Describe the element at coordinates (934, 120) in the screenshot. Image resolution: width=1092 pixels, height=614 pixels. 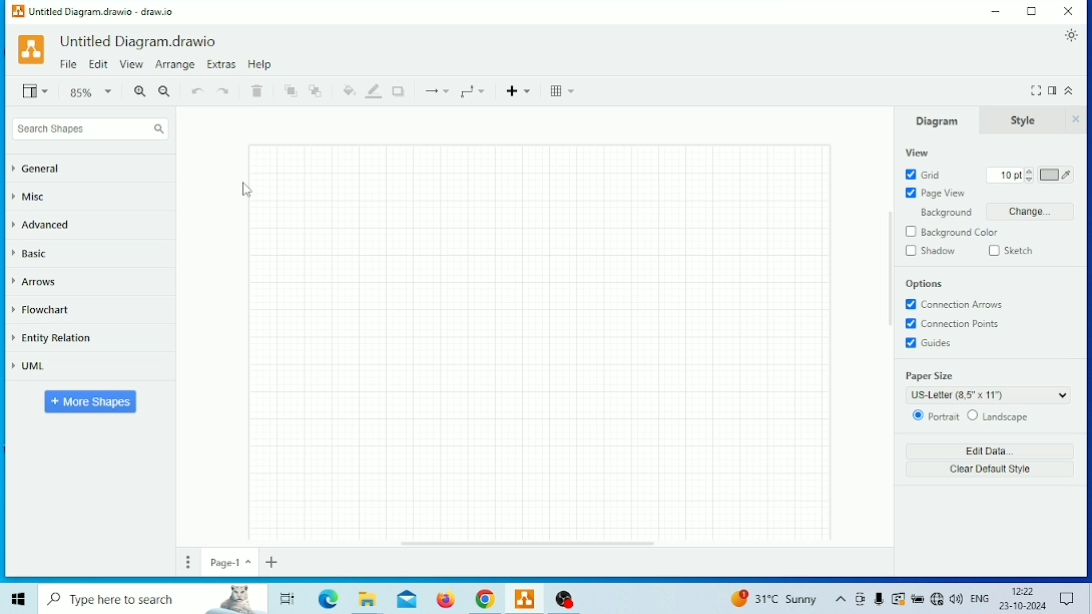
I see `Diagram` at that location.